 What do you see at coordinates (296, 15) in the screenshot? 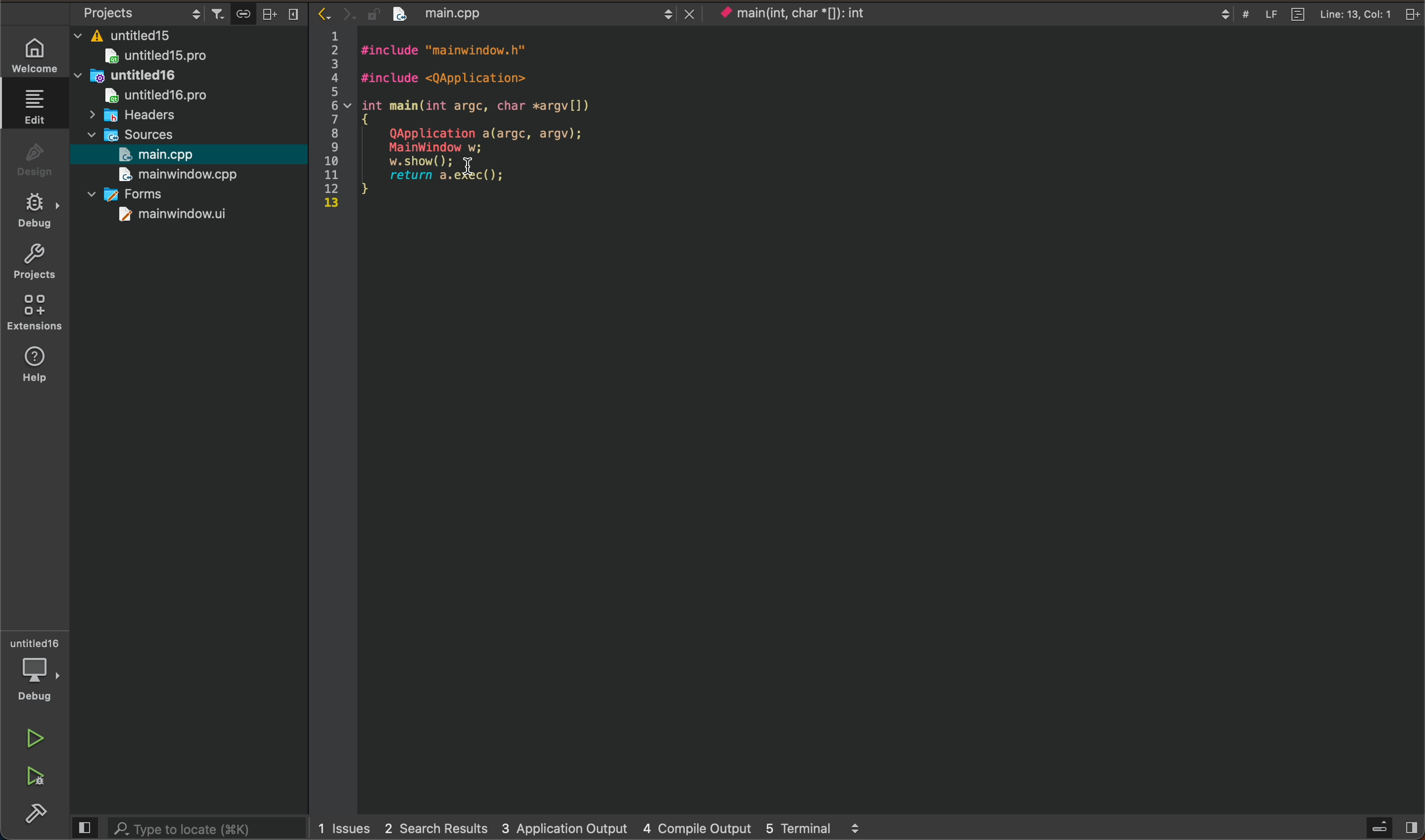
I see `close` at bounding box center [296, 15].